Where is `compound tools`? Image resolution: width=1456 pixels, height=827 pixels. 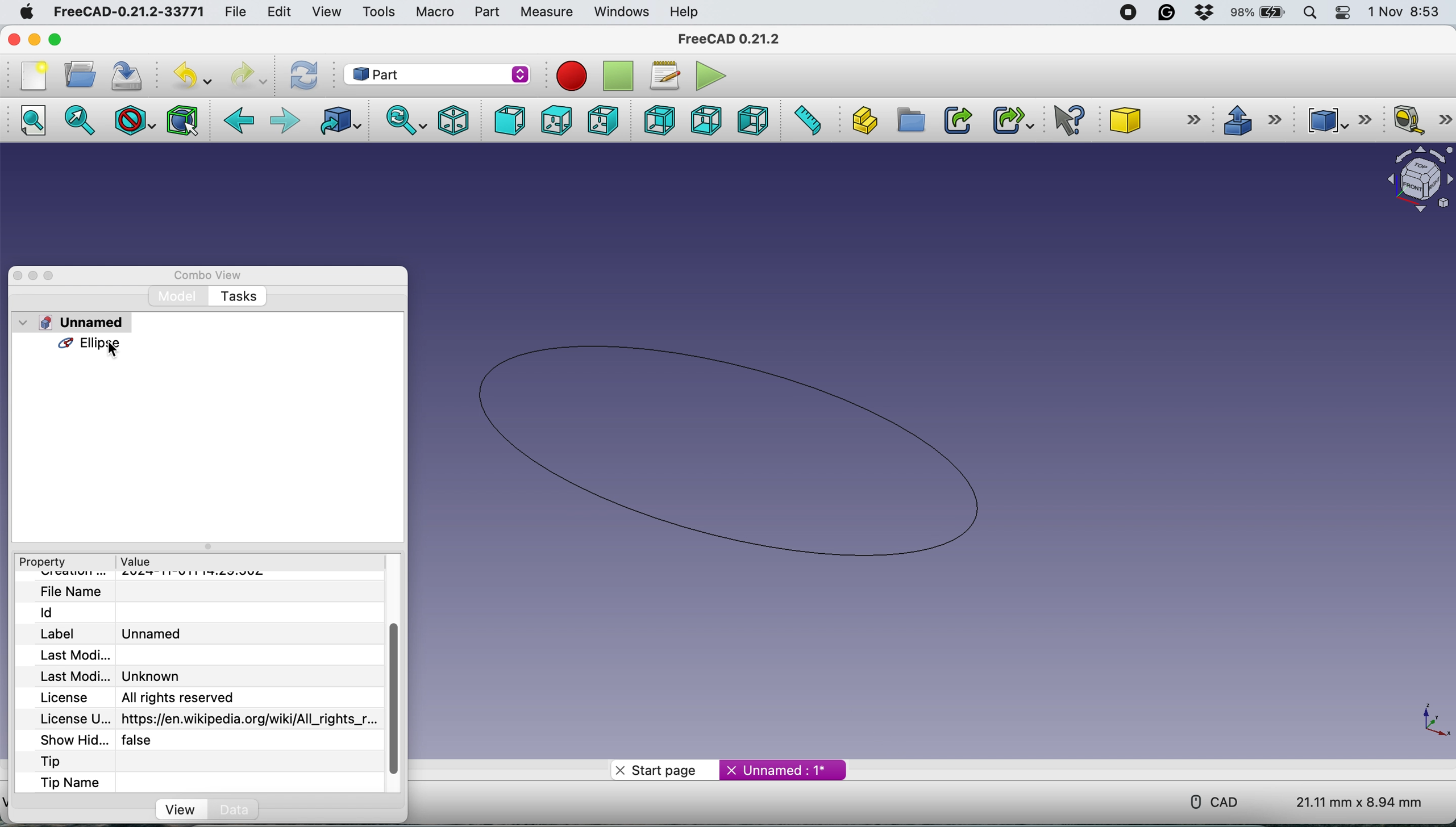 compound tools is located at coordinates (1336, 120).